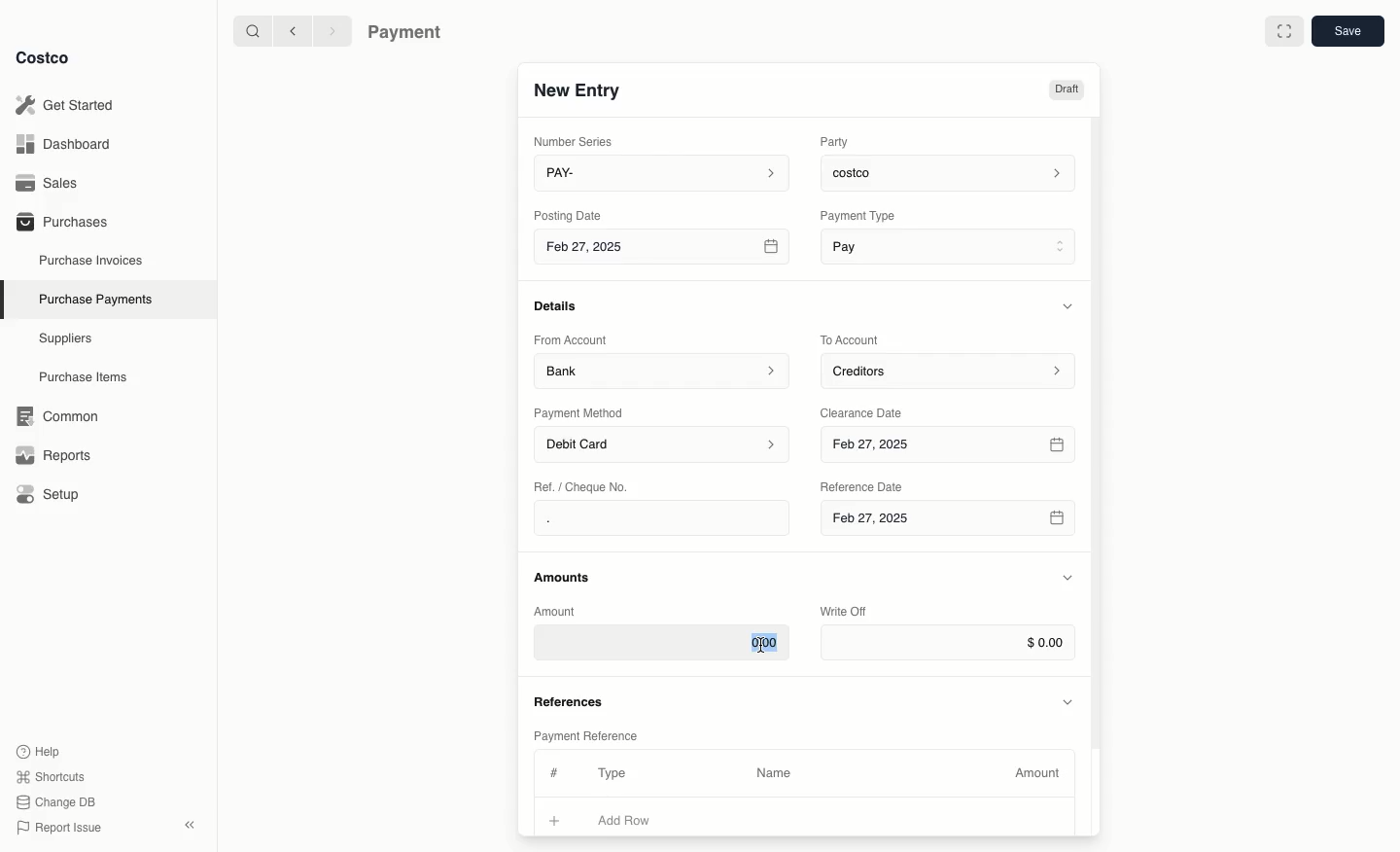 This screenshot has height=852, width=1400. I want to click on ‘Payment Type, so click(857, 215).